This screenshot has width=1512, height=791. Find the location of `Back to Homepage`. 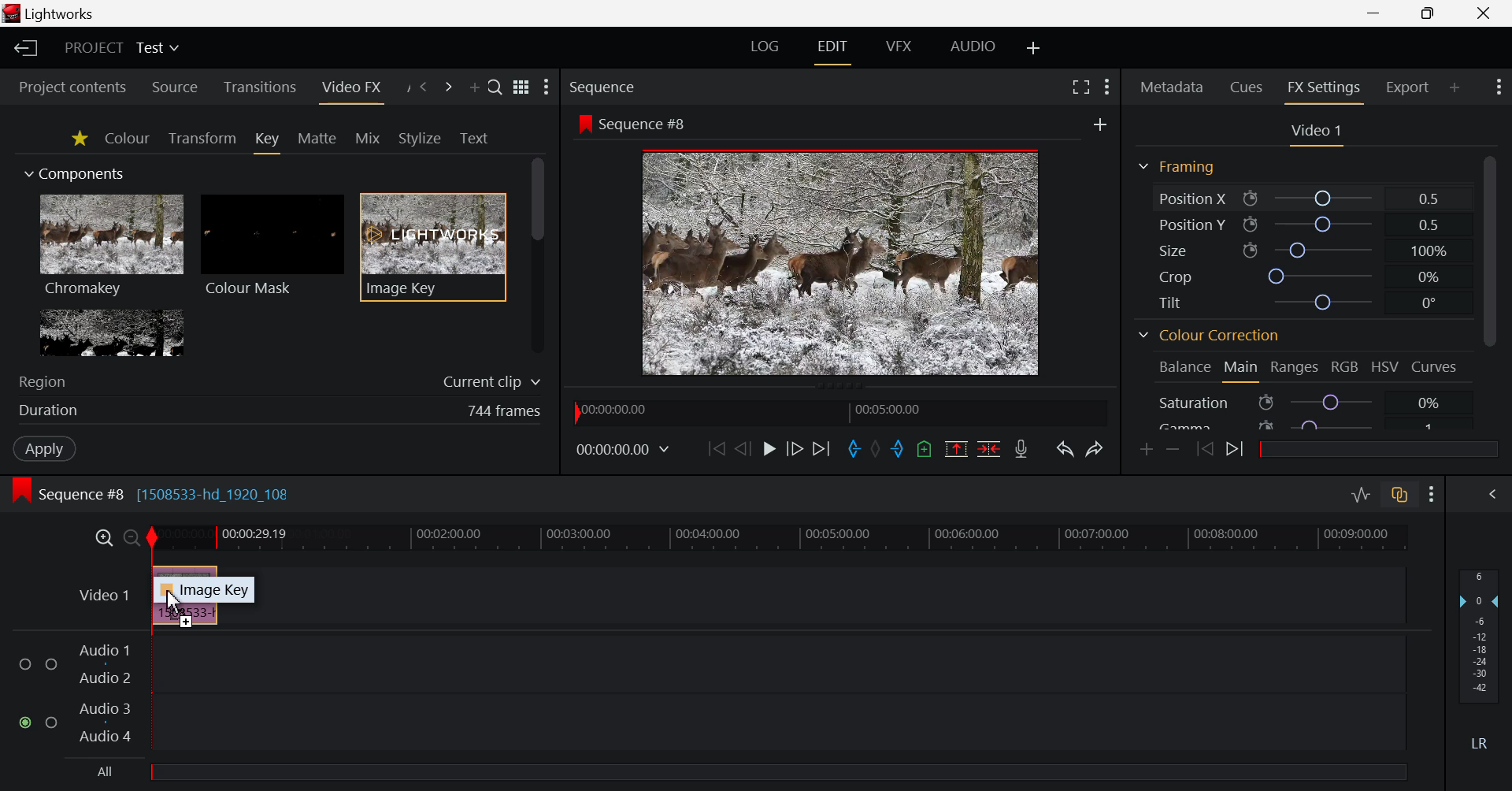

Back to Homepage is located at coordinates (22, 47).